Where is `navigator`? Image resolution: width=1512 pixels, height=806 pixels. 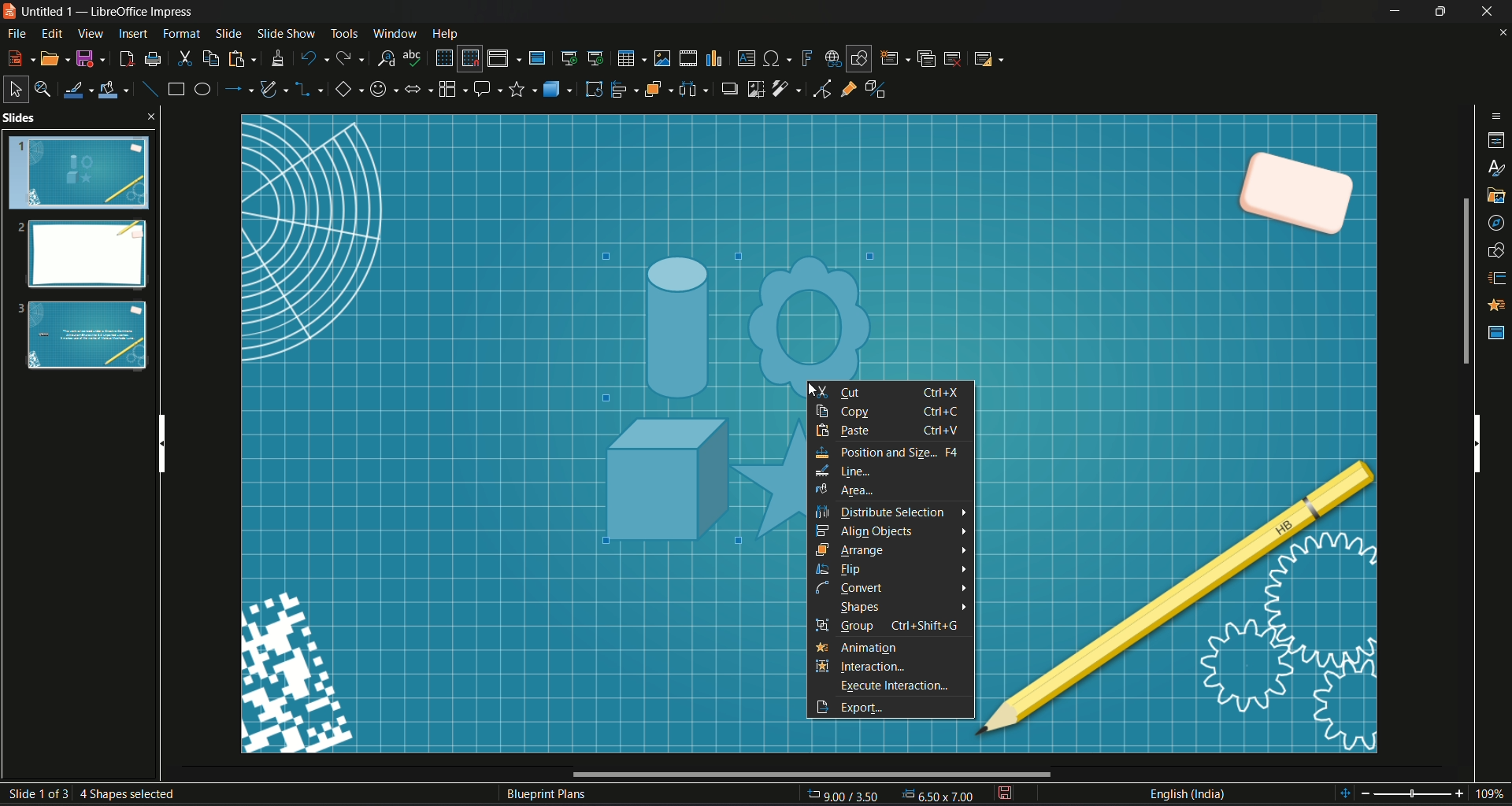
navigator is located at coordinates (1496, 225).